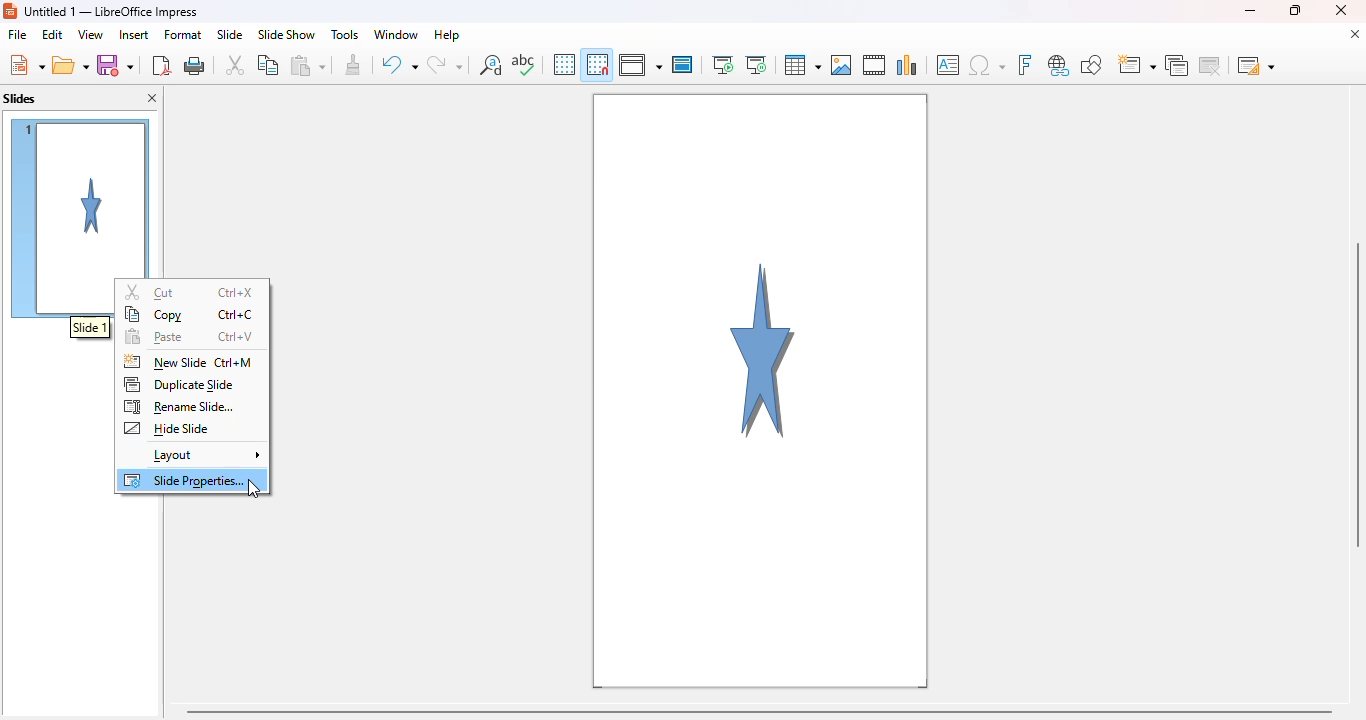 This screenshot has height=720, width=1366. I want to click on view, so click(90, 35).